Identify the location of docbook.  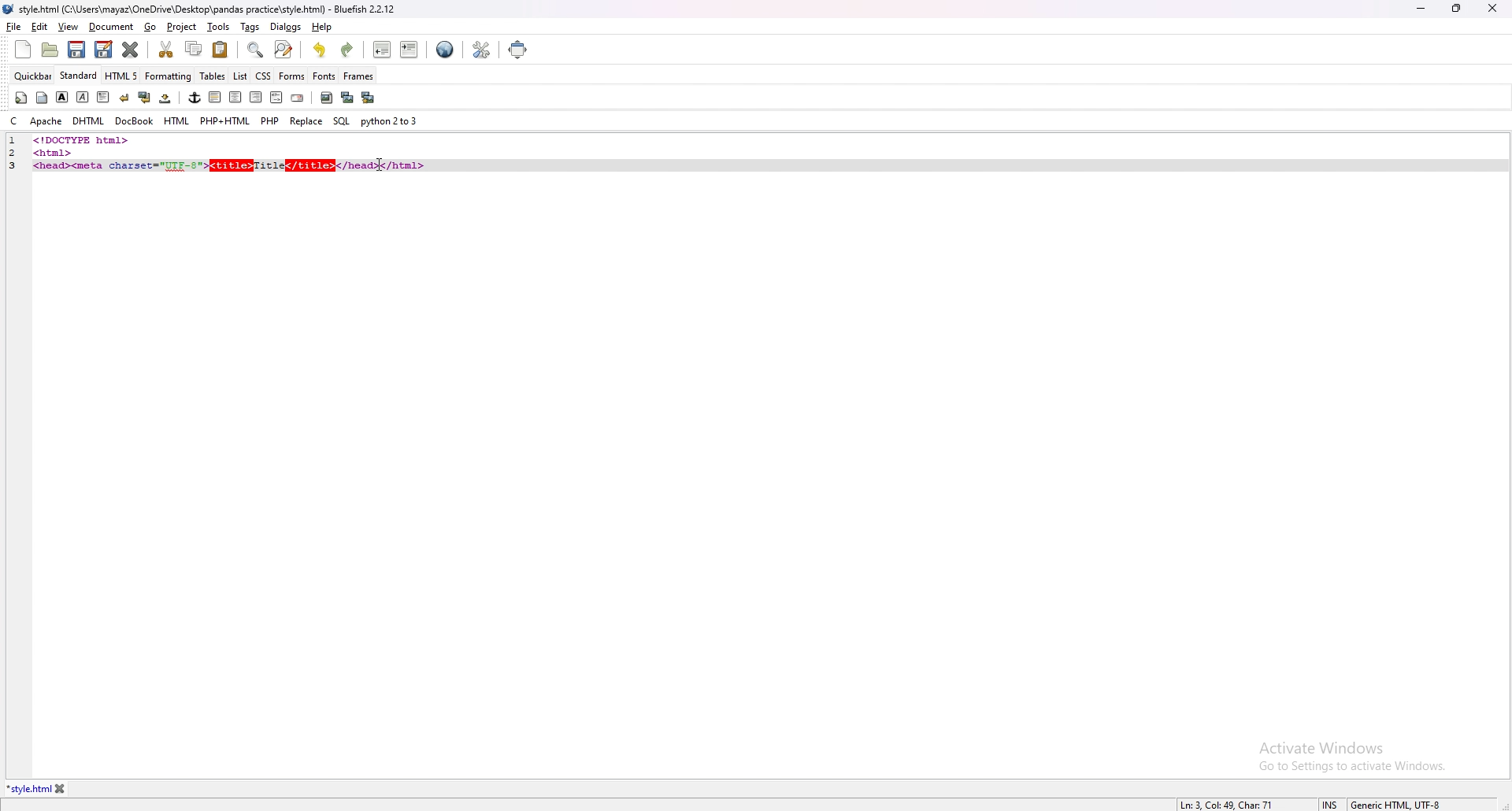
(134, 121).